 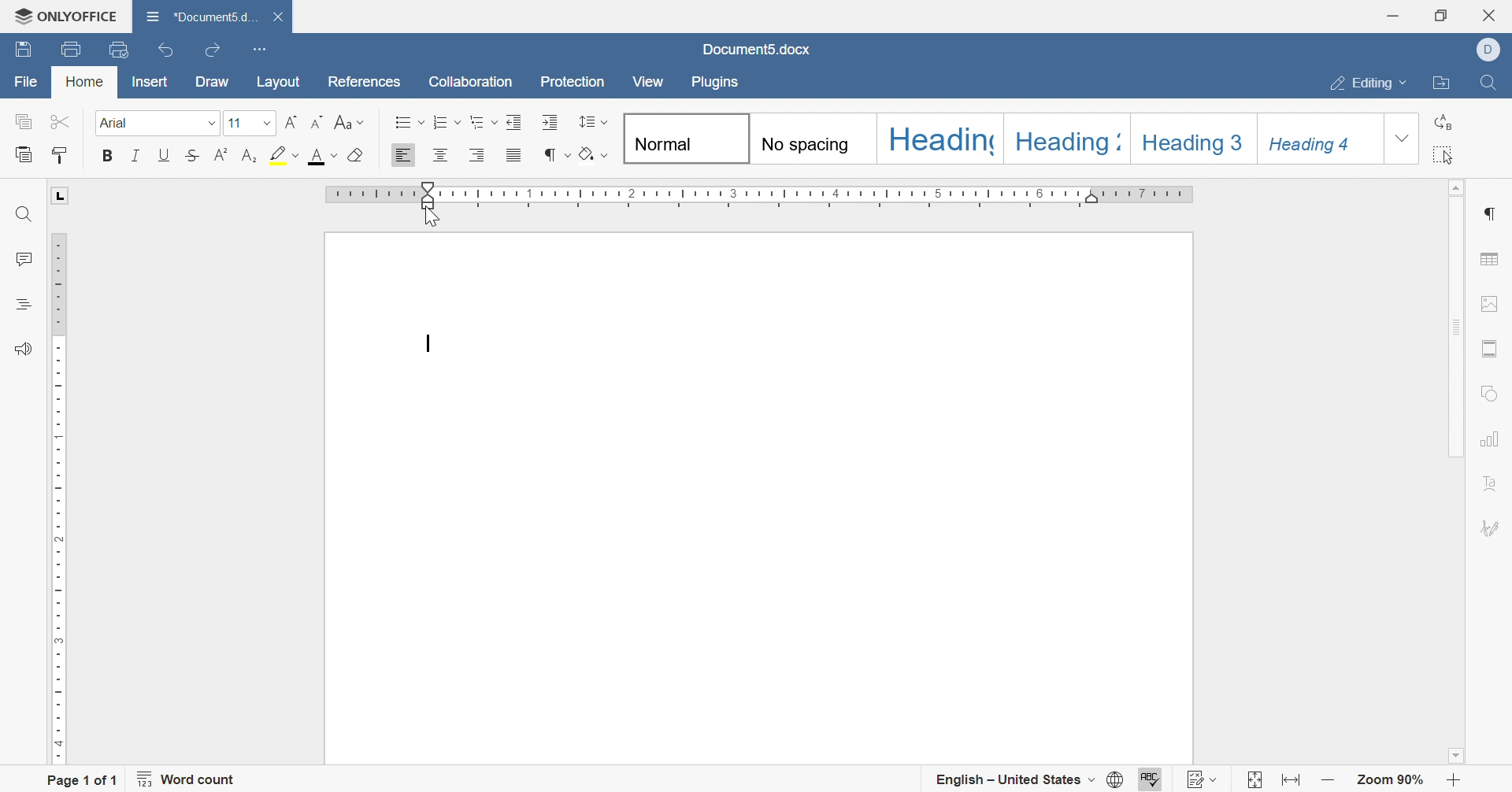 What do you see at coordinates (1368, 83) in the screenshot?
I see `editing` at bounding box center [1368, 83].